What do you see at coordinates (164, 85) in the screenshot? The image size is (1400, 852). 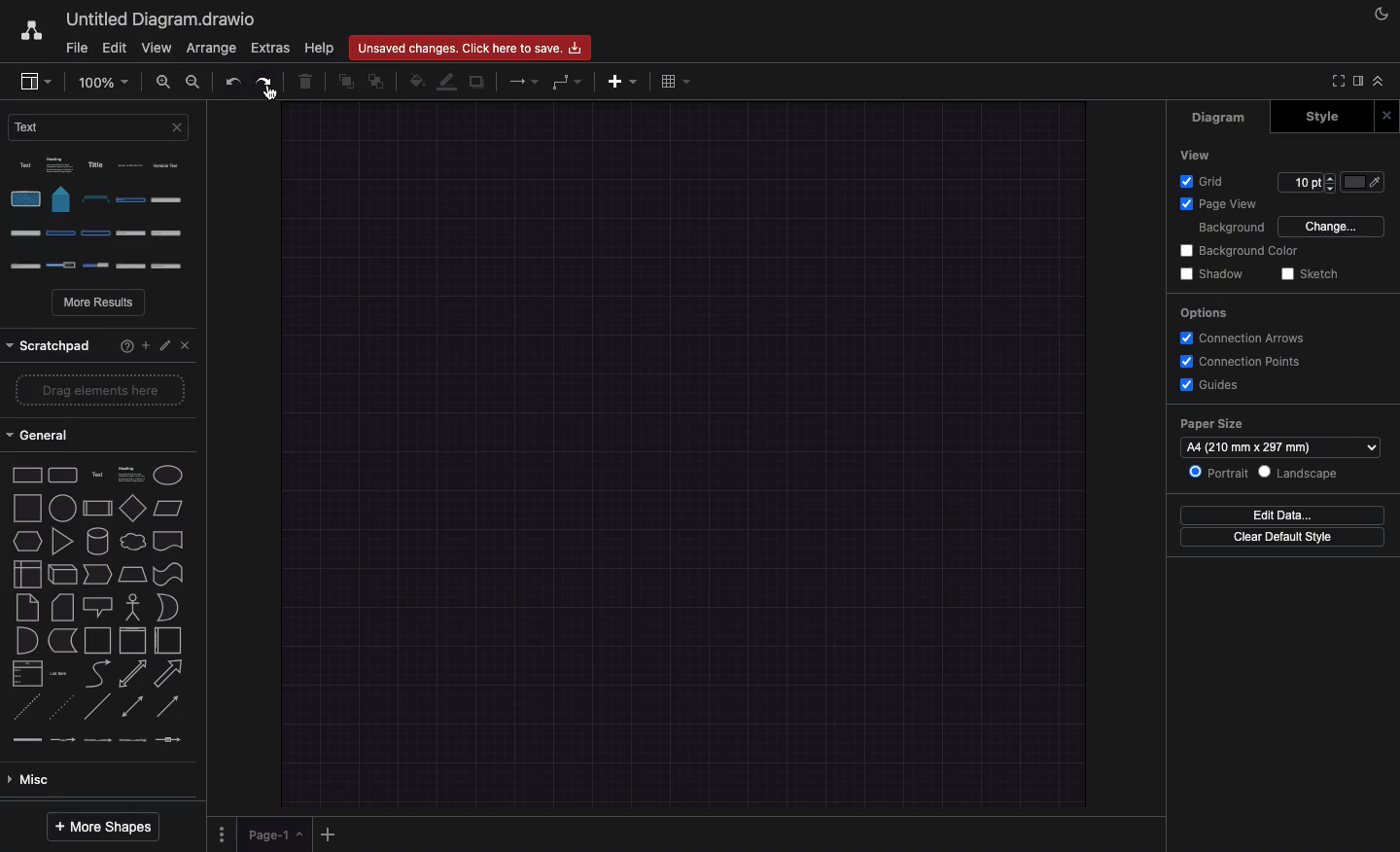 I see `Zoom in` at bounding box center [164, 85].